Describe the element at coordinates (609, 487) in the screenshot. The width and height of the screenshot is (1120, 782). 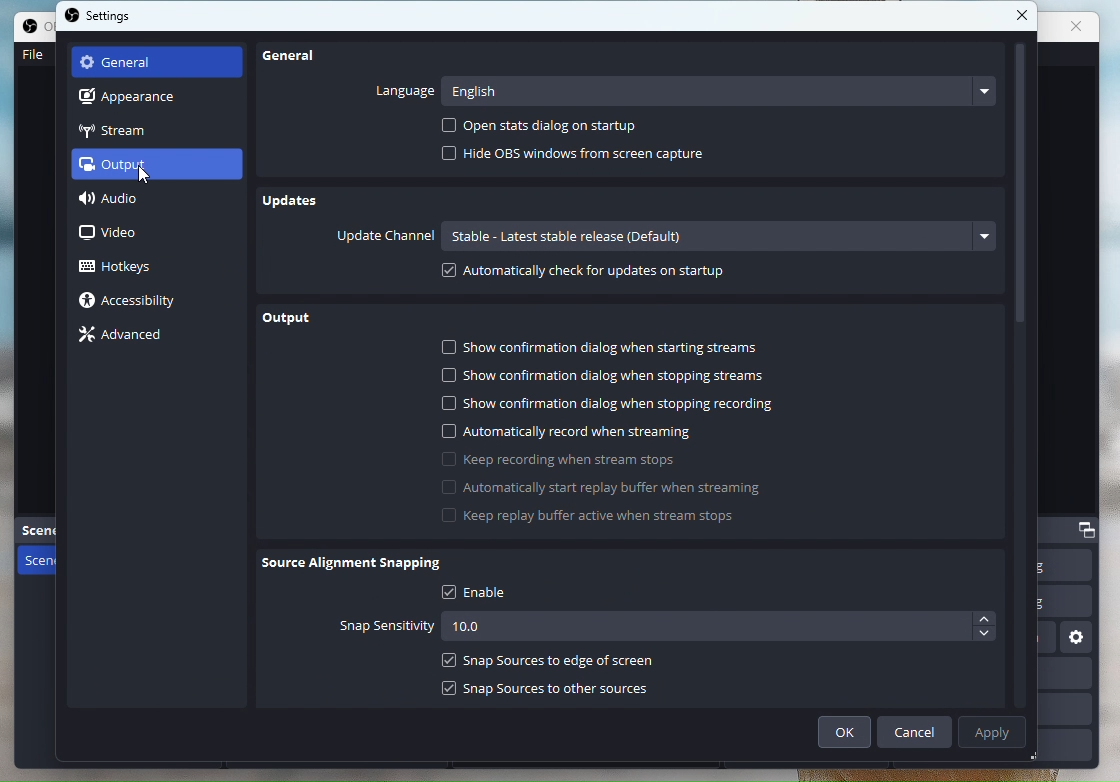
I see `Starts replay` at that location.